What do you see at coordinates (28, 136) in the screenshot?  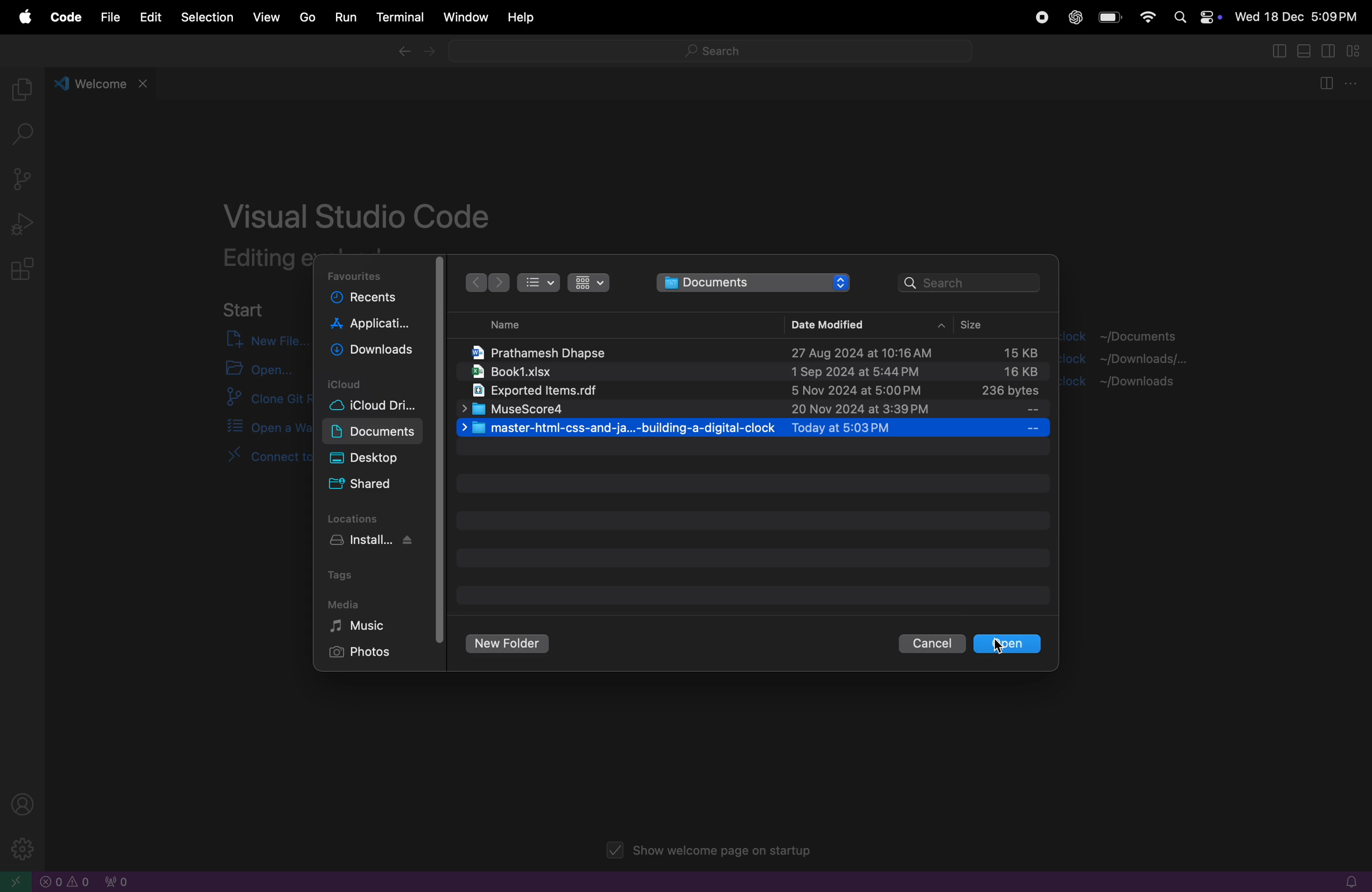 I see `search` at bounding box center [28, 136].